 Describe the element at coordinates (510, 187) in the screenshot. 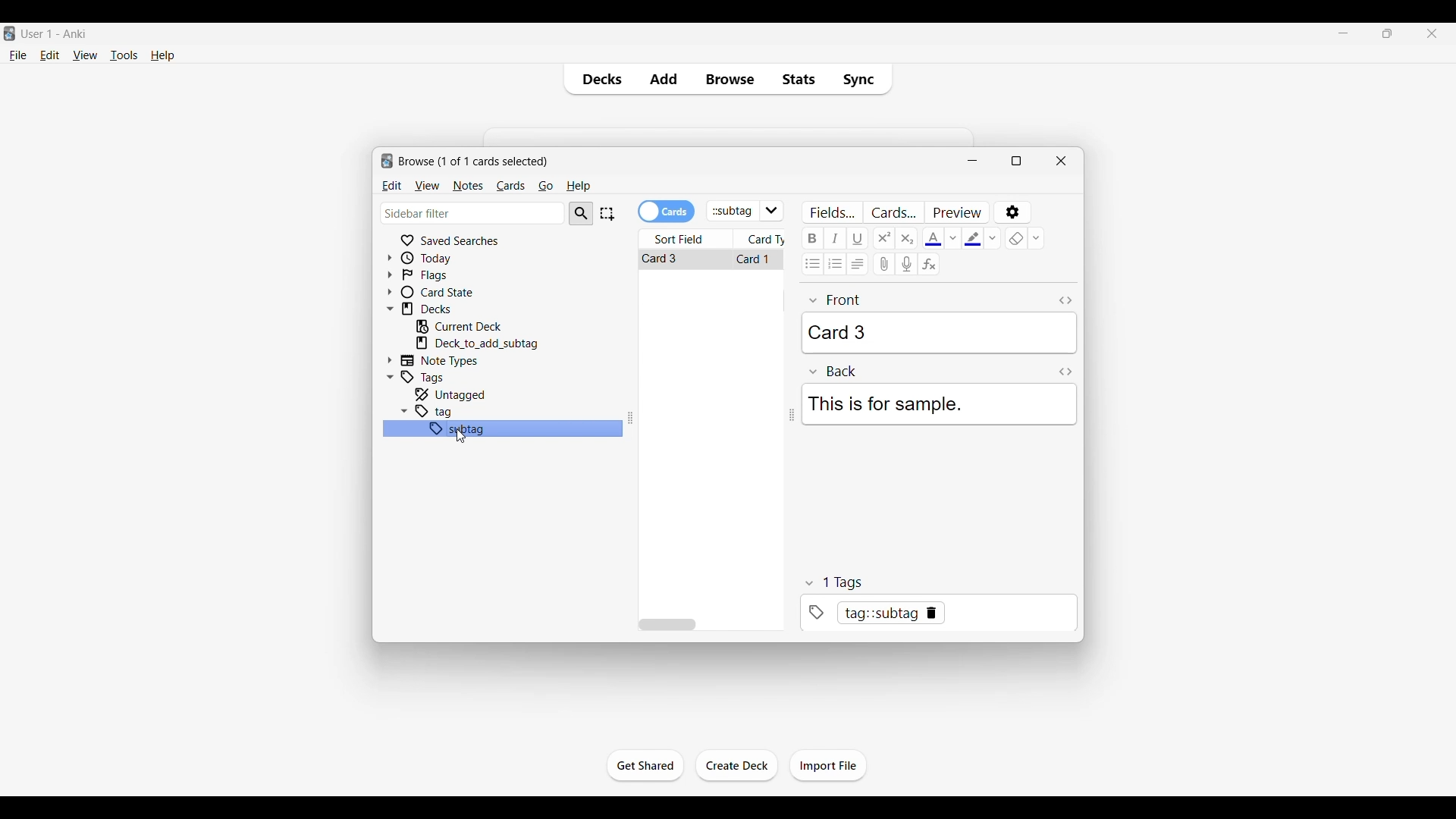

I see `Cards menu` at that location.